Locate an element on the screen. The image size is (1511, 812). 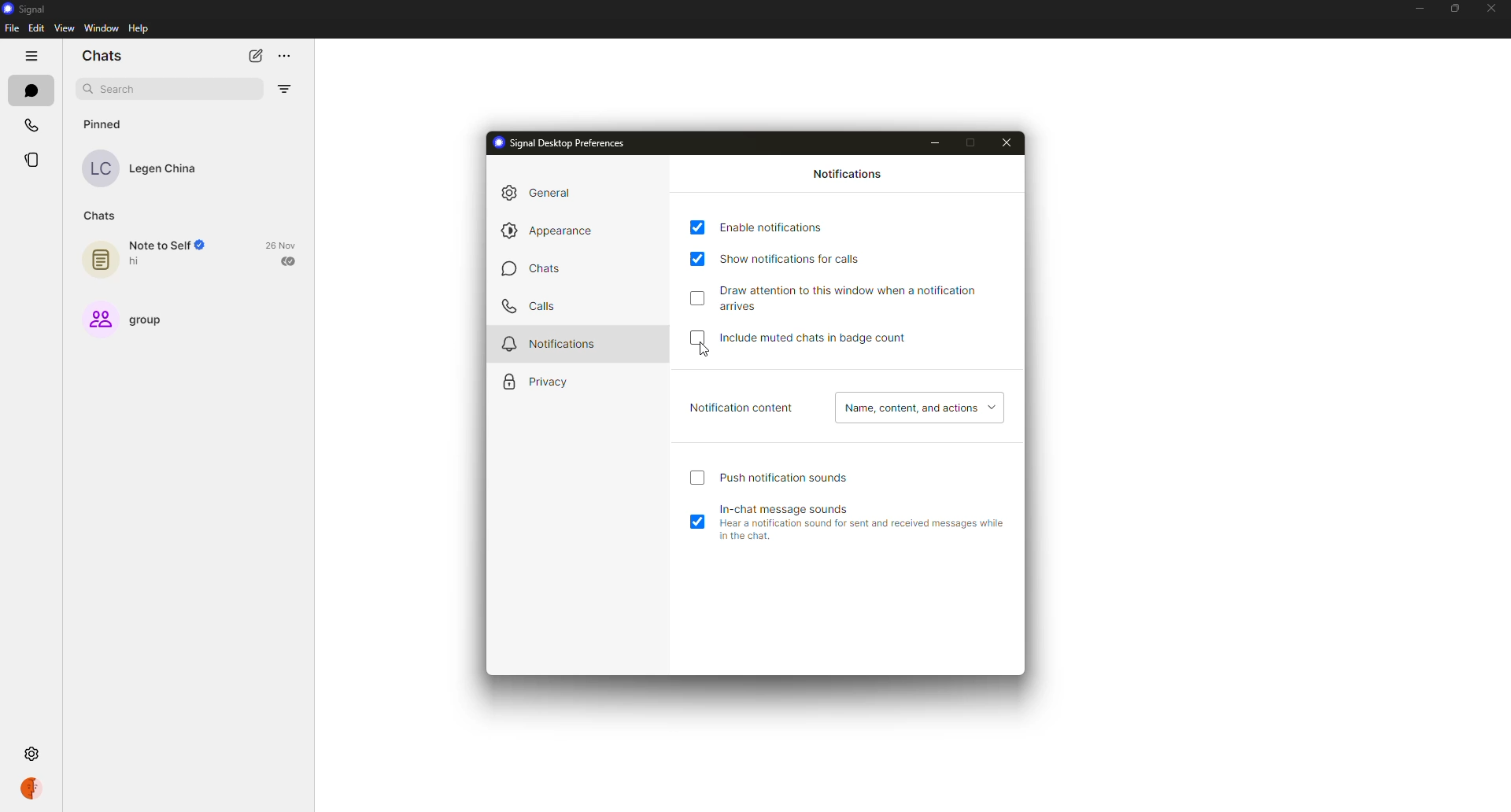
more is located at coordinates (286, 57).